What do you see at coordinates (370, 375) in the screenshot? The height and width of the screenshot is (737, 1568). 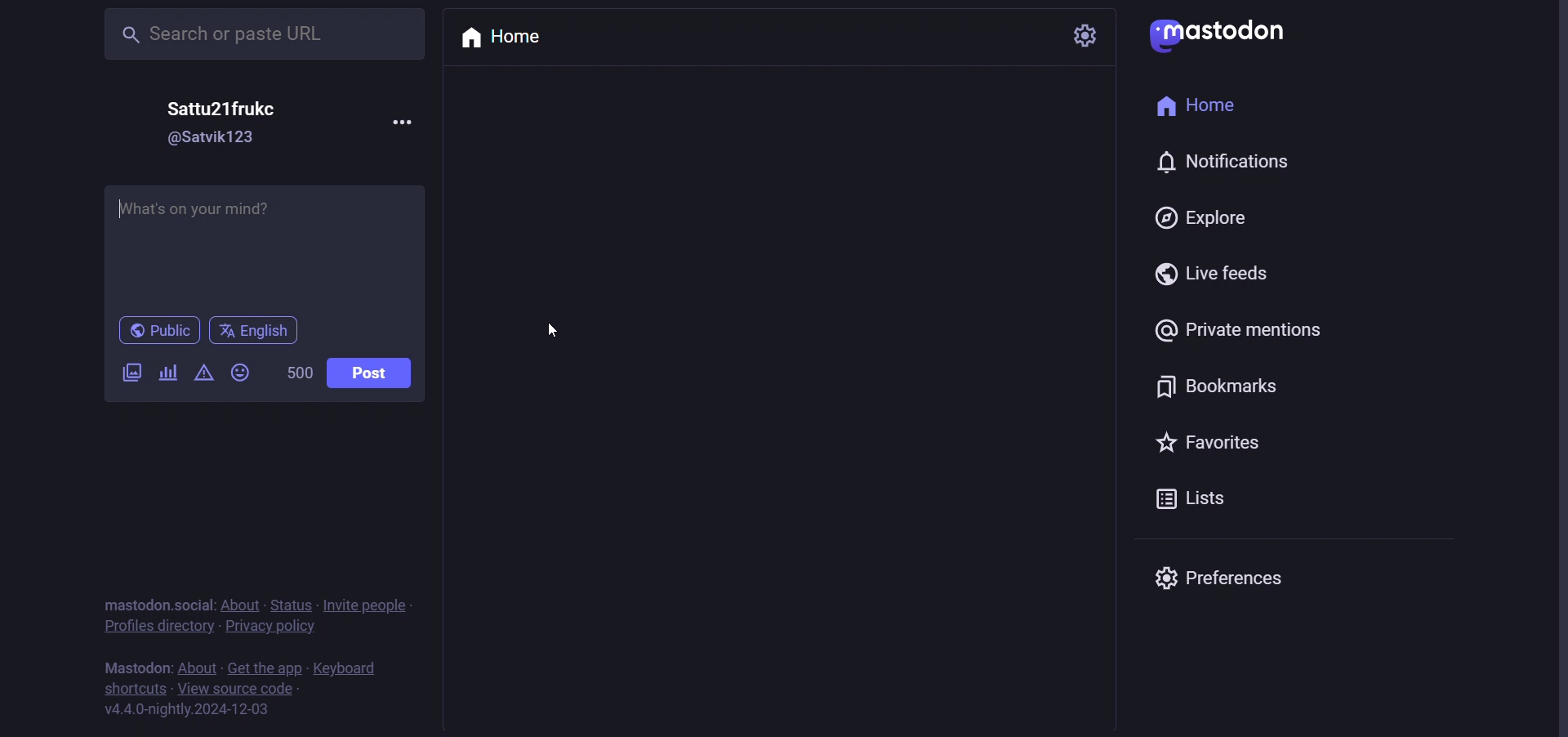 I see `post` at bounding box center [370, 375].